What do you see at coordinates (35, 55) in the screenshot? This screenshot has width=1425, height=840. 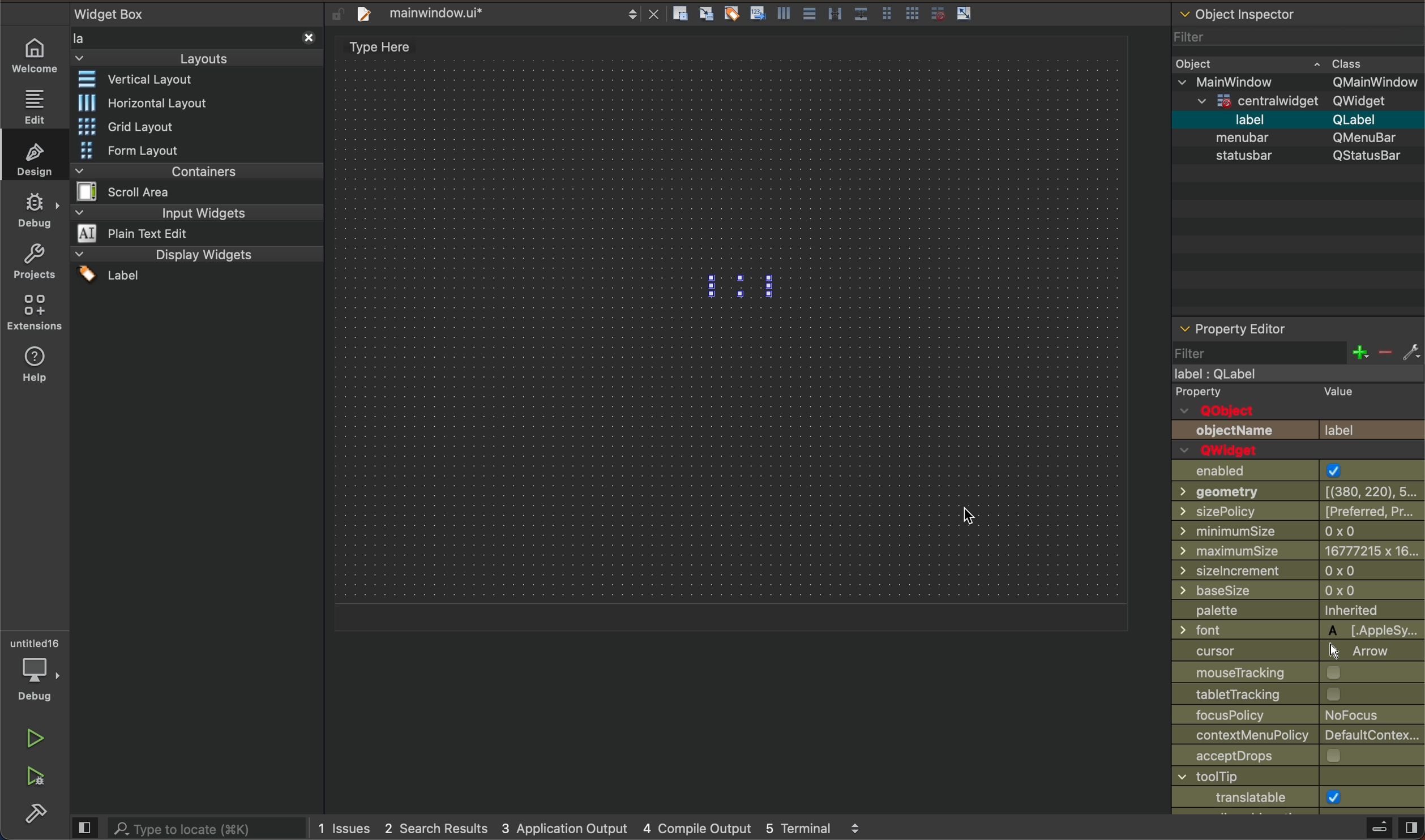 I see `welcome` at bounding box center [35, 55].